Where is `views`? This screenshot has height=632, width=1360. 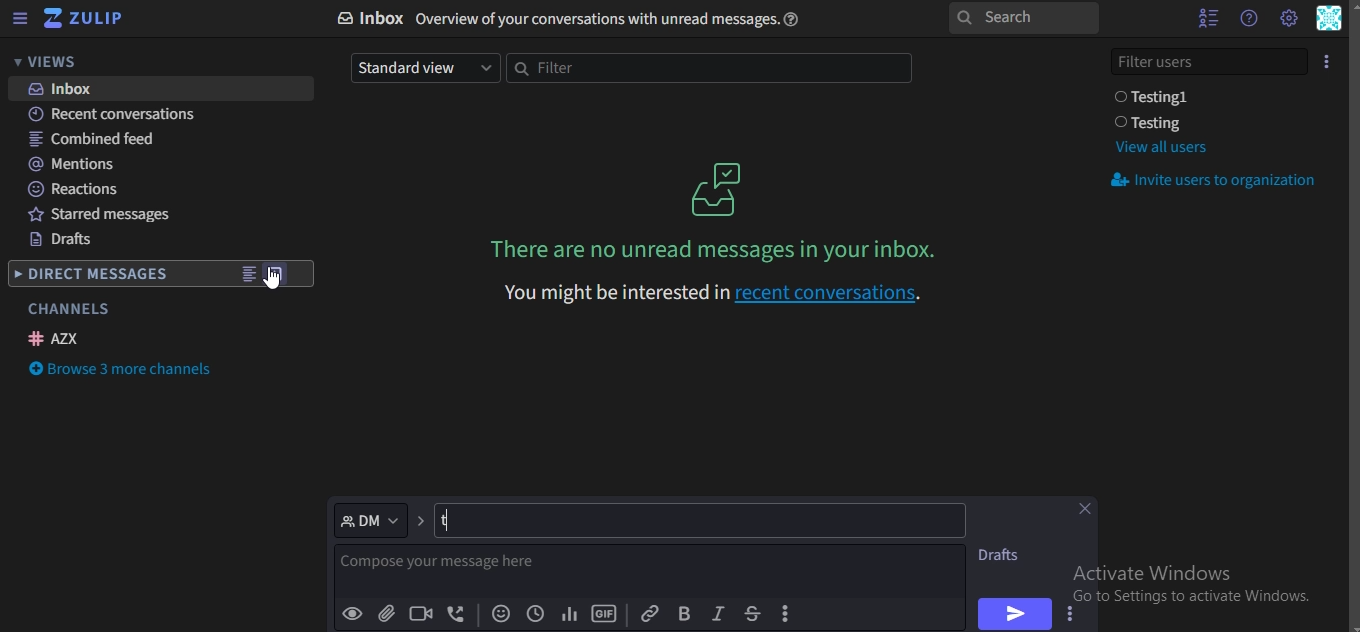
views is located at coordinates (55, 62).